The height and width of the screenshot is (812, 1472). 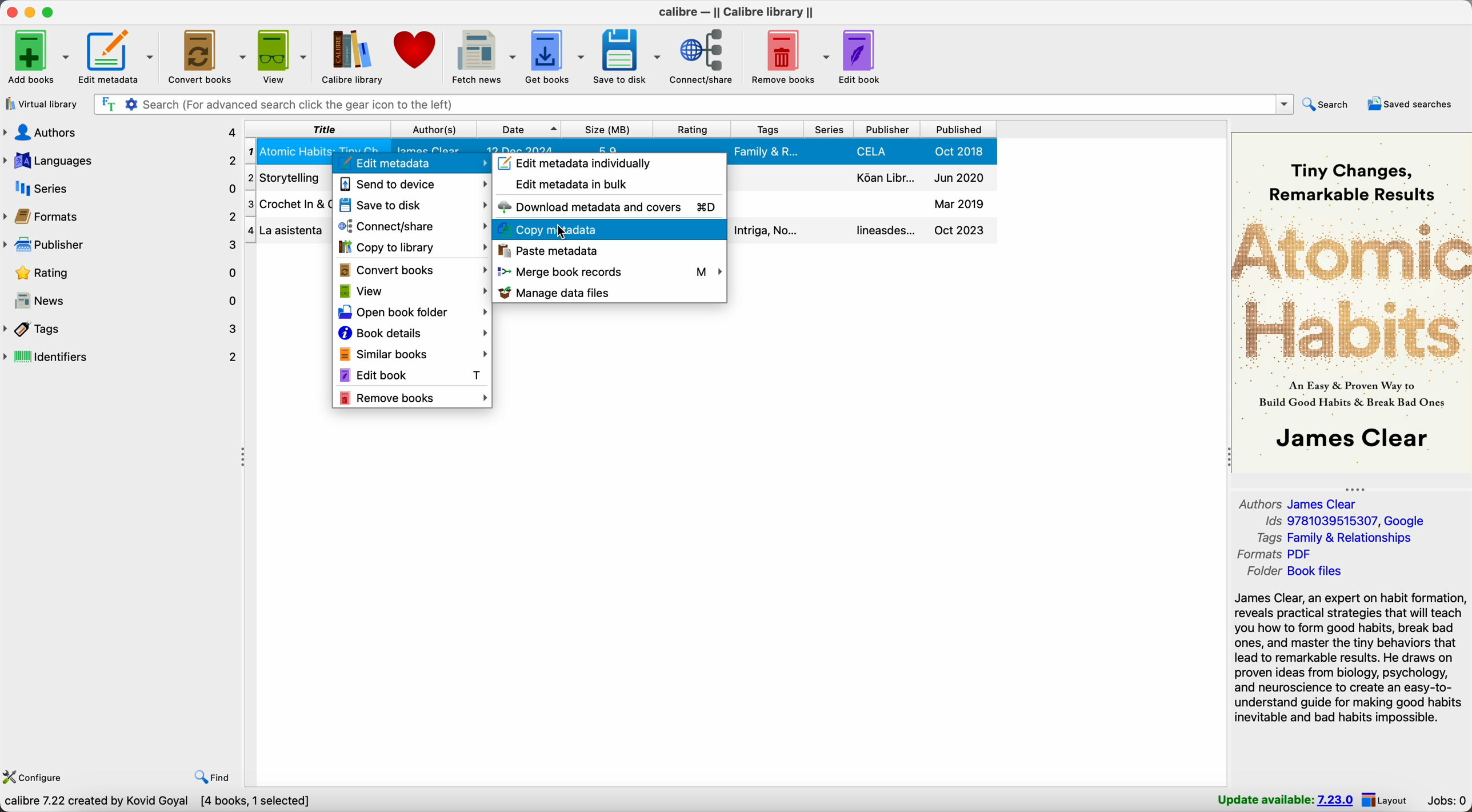 I want to click on tags, so click(x=1334, y=538).